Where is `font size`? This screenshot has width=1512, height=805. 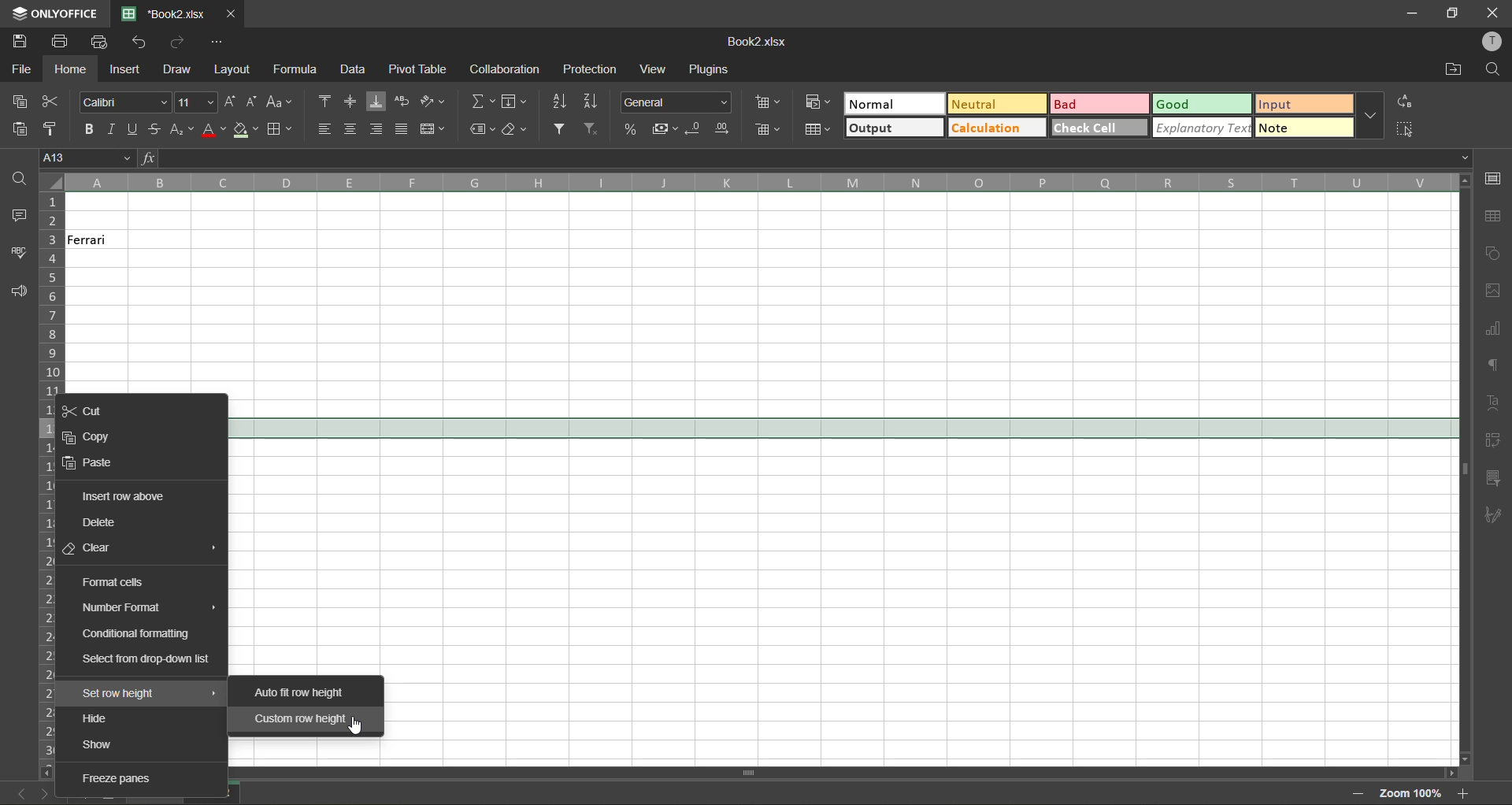
font size is located at coordinates (196, 102).